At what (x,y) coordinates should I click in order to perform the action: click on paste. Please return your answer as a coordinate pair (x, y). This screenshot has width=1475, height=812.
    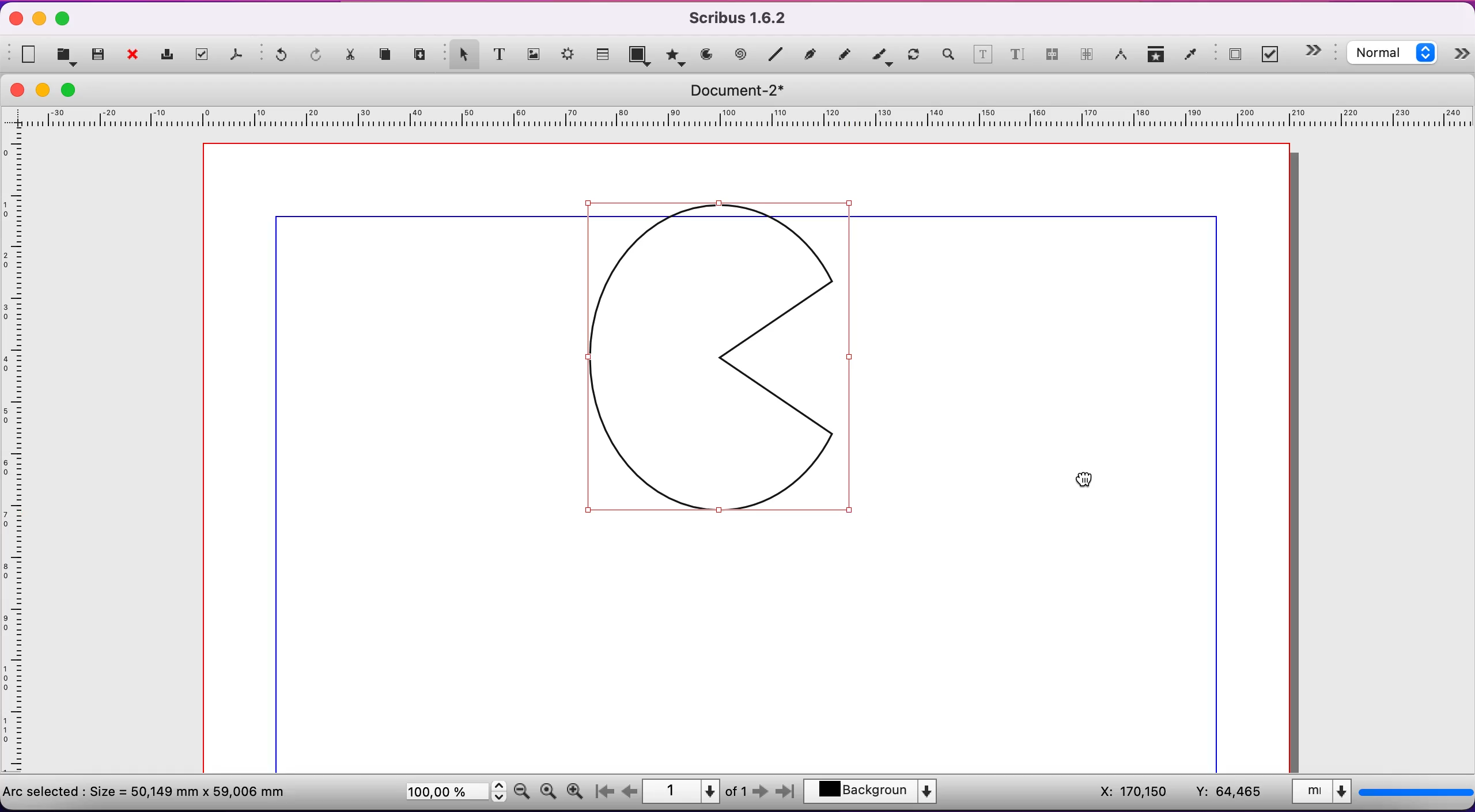
    Looking at the image, I should click on (422, 55).